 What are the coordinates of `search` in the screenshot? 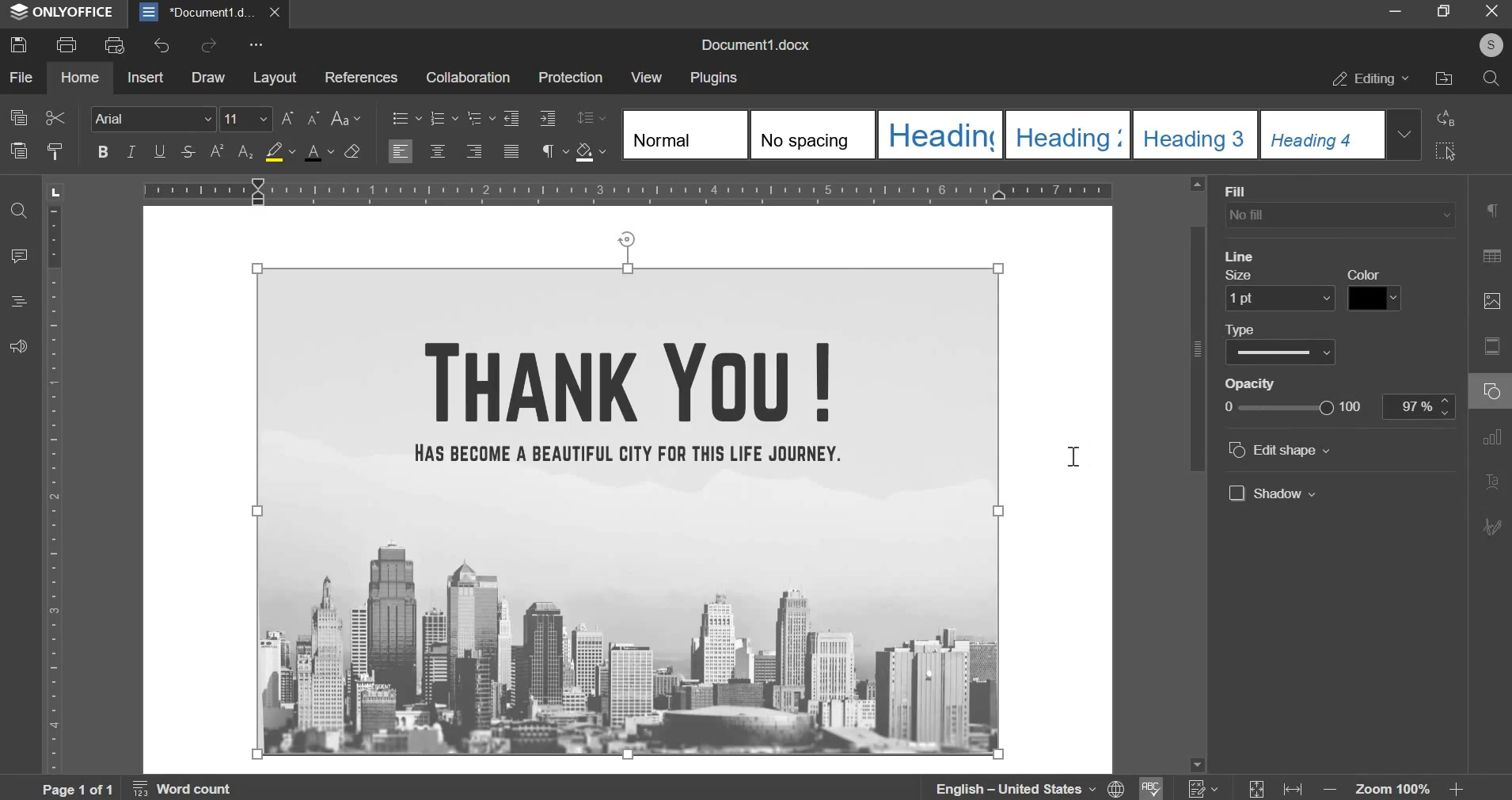 It's located at (1491, 78).